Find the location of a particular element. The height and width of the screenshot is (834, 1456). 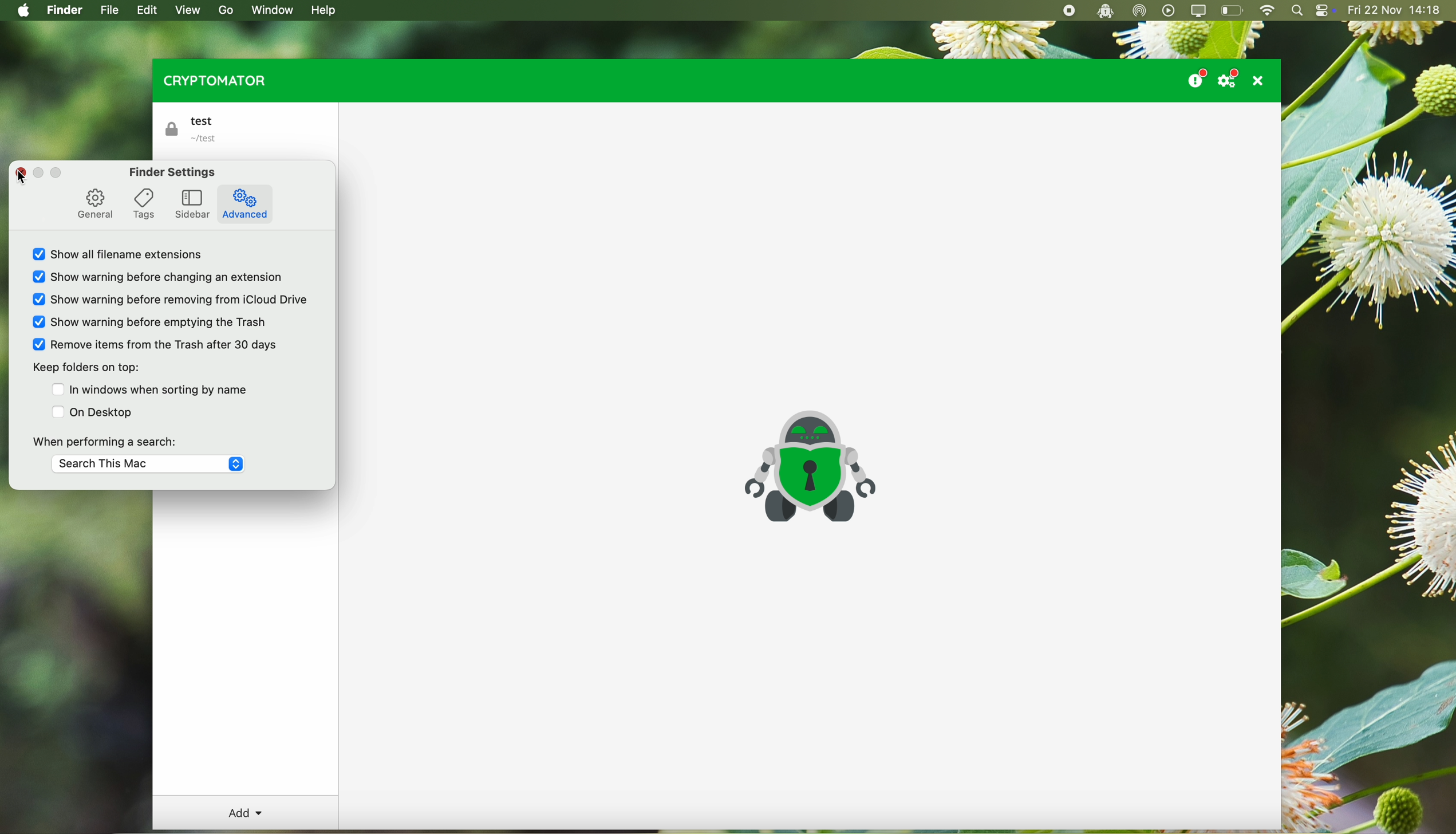

spotlight search is located at coordinates (1297, 11).